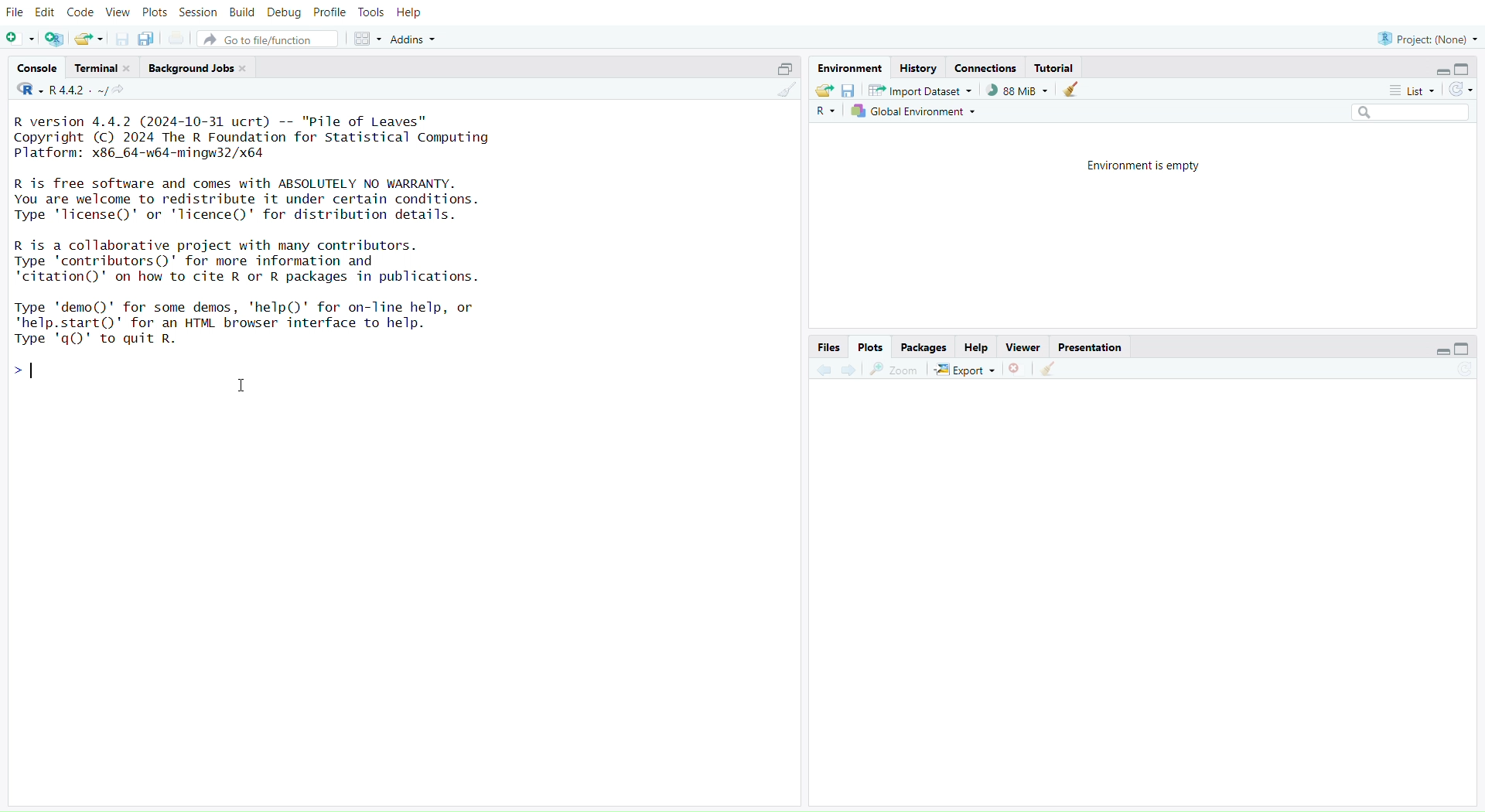 This screenshot has width=1485, height=812. What do you see at coordinates (1092, 349) in the screenshot?
I see `presentation` at bounding box center [1092, 349].